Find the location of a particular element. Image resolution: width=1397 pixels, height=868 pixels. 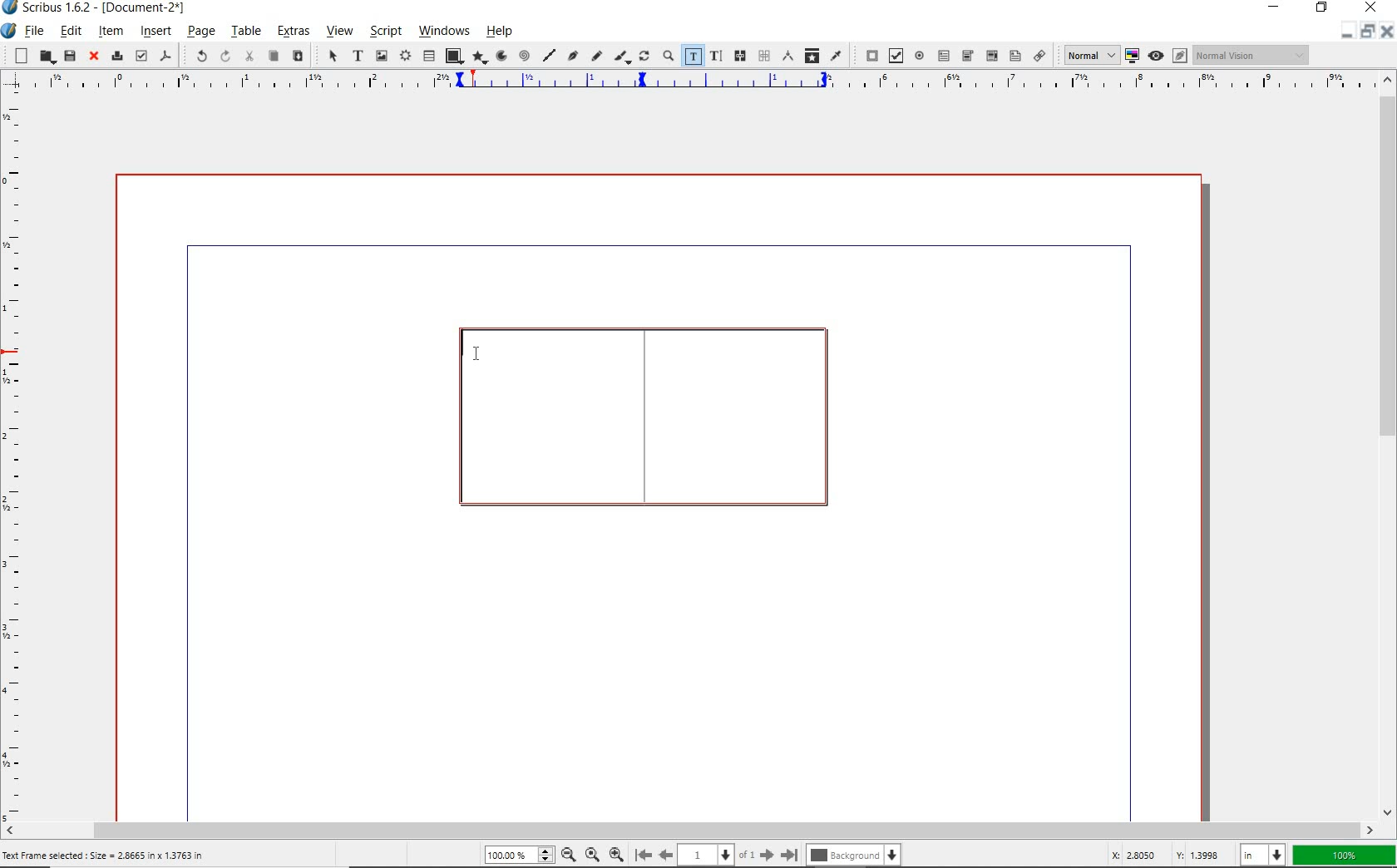

zoom factor is located at coordinates (1343, 854).